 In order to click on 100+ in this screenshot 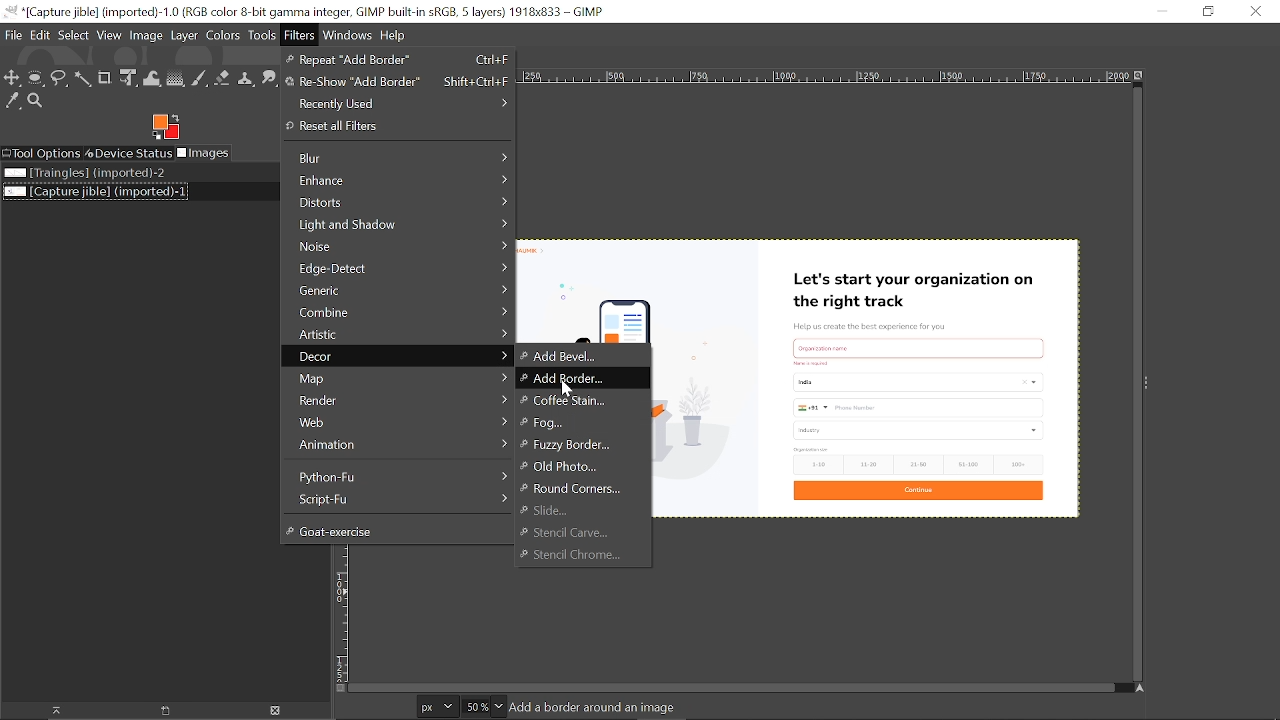, I will do `click(1024, 465)`.